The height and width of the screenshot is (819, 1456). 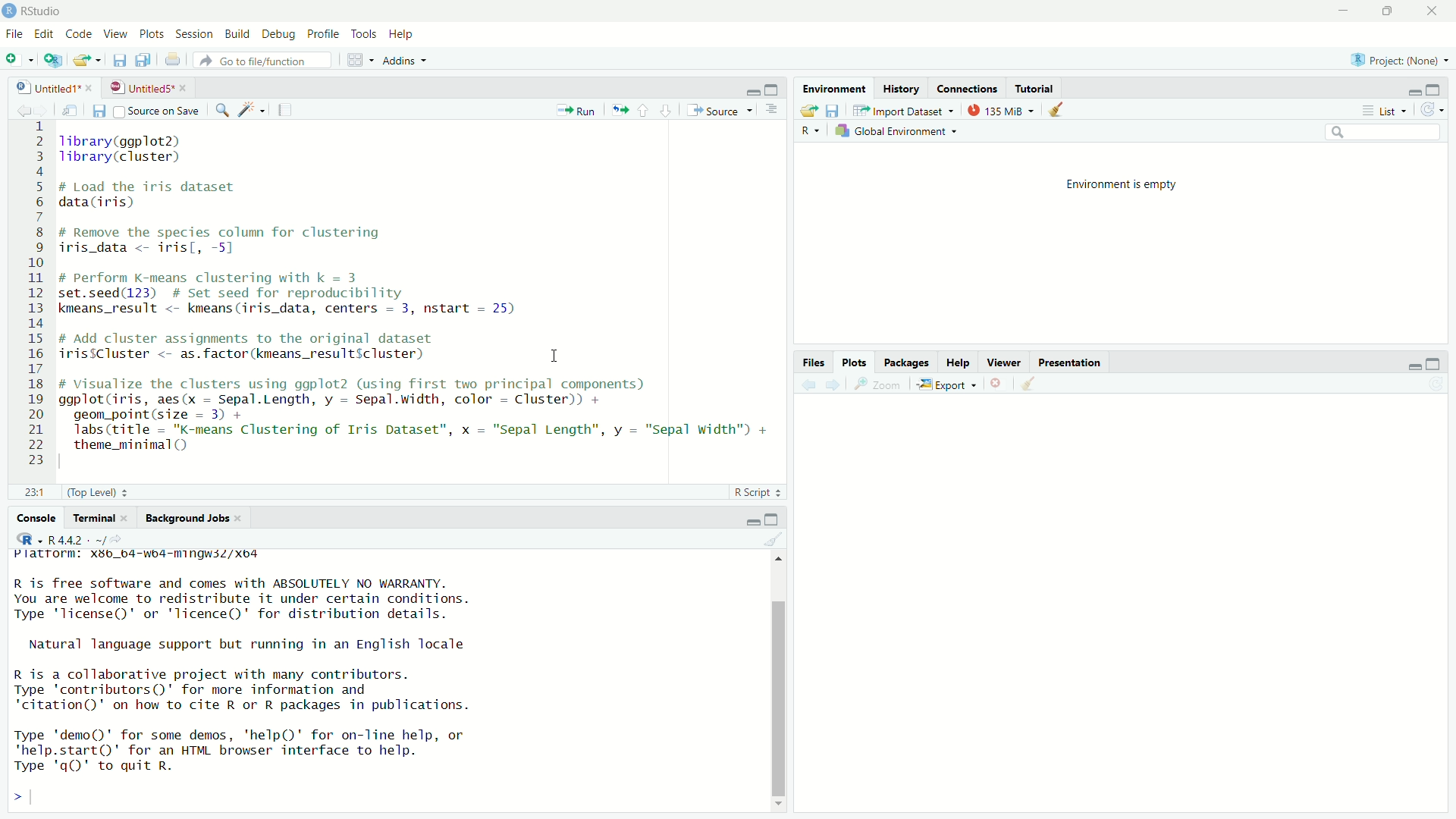 I want to click on typing cursor, so click(x=41, y=799).